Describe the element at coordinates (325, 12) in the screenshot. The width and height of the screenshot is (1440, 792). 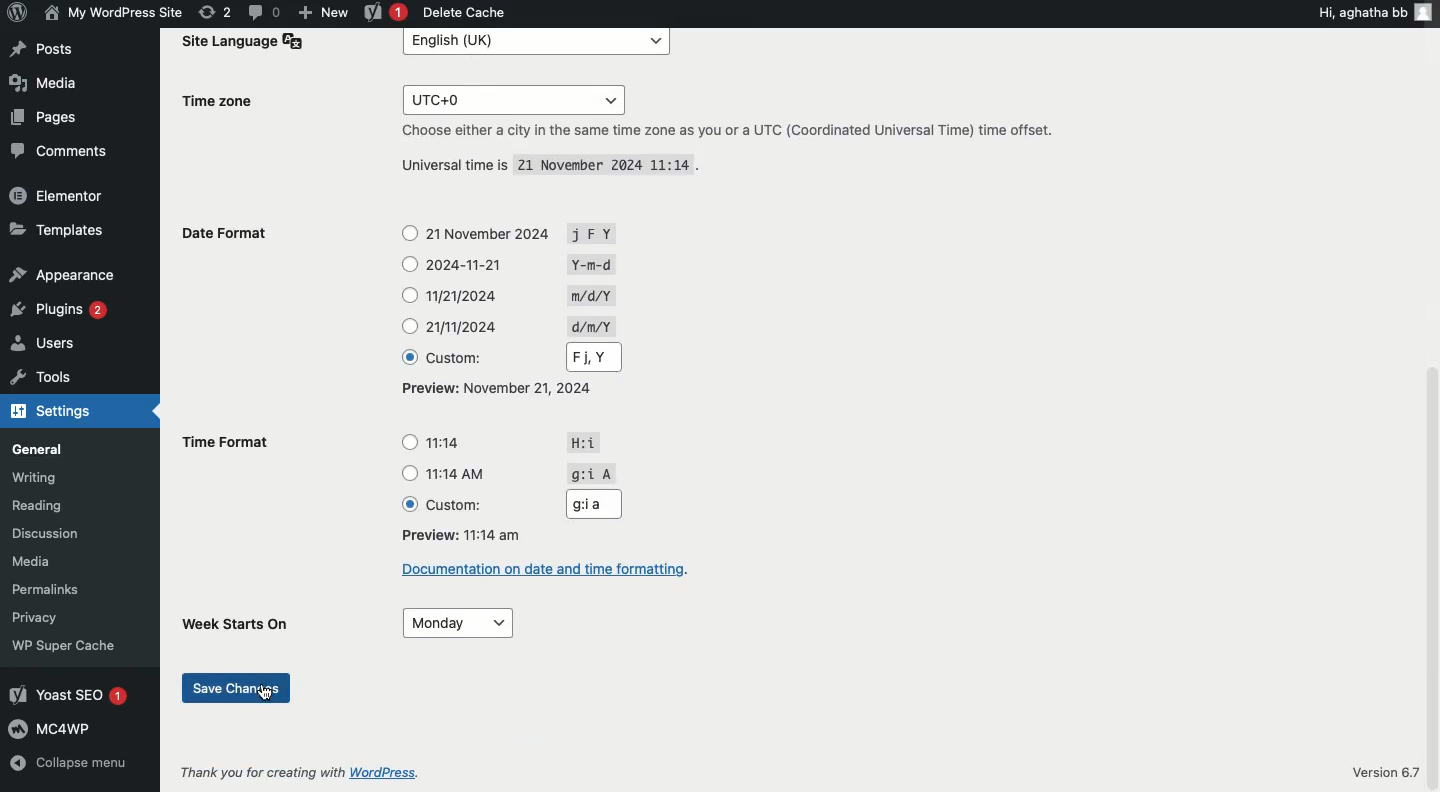
I see `New` at that location.